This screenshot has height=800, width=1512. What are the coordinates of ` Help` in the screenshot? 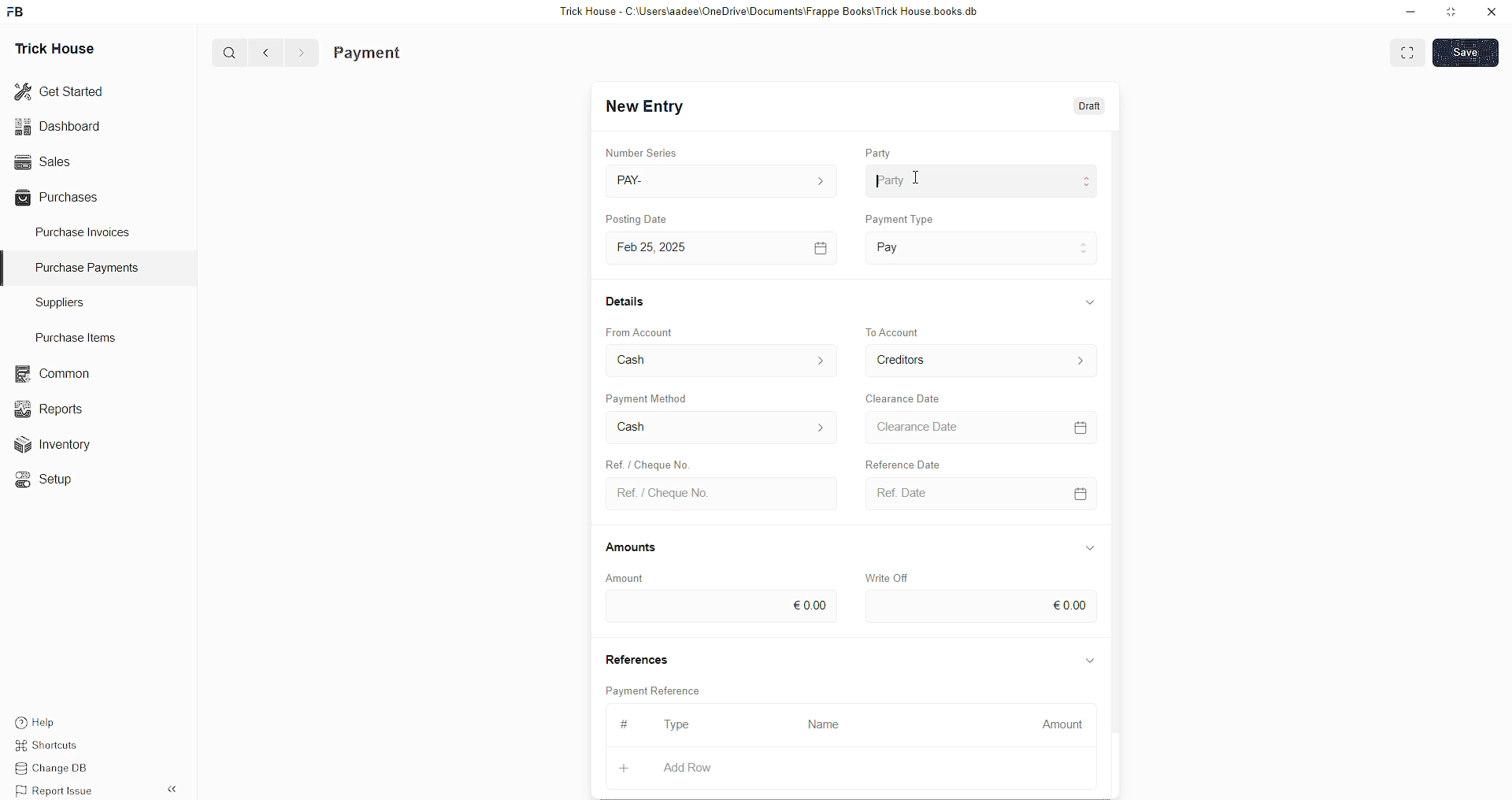 It's located at (59, 720).